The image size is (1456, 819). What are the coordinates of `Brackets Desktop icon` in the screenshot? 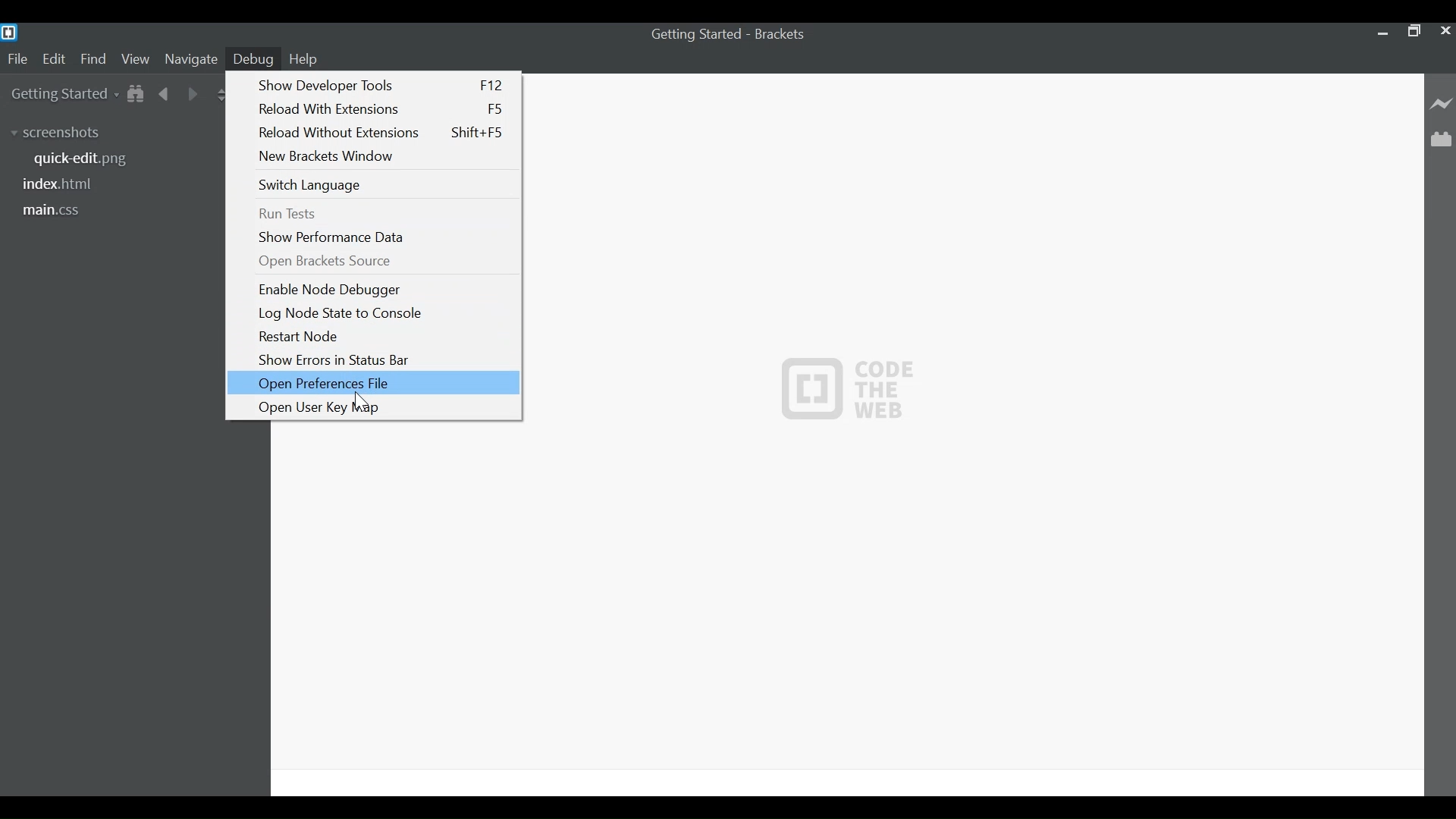 It's located at (14, 32).